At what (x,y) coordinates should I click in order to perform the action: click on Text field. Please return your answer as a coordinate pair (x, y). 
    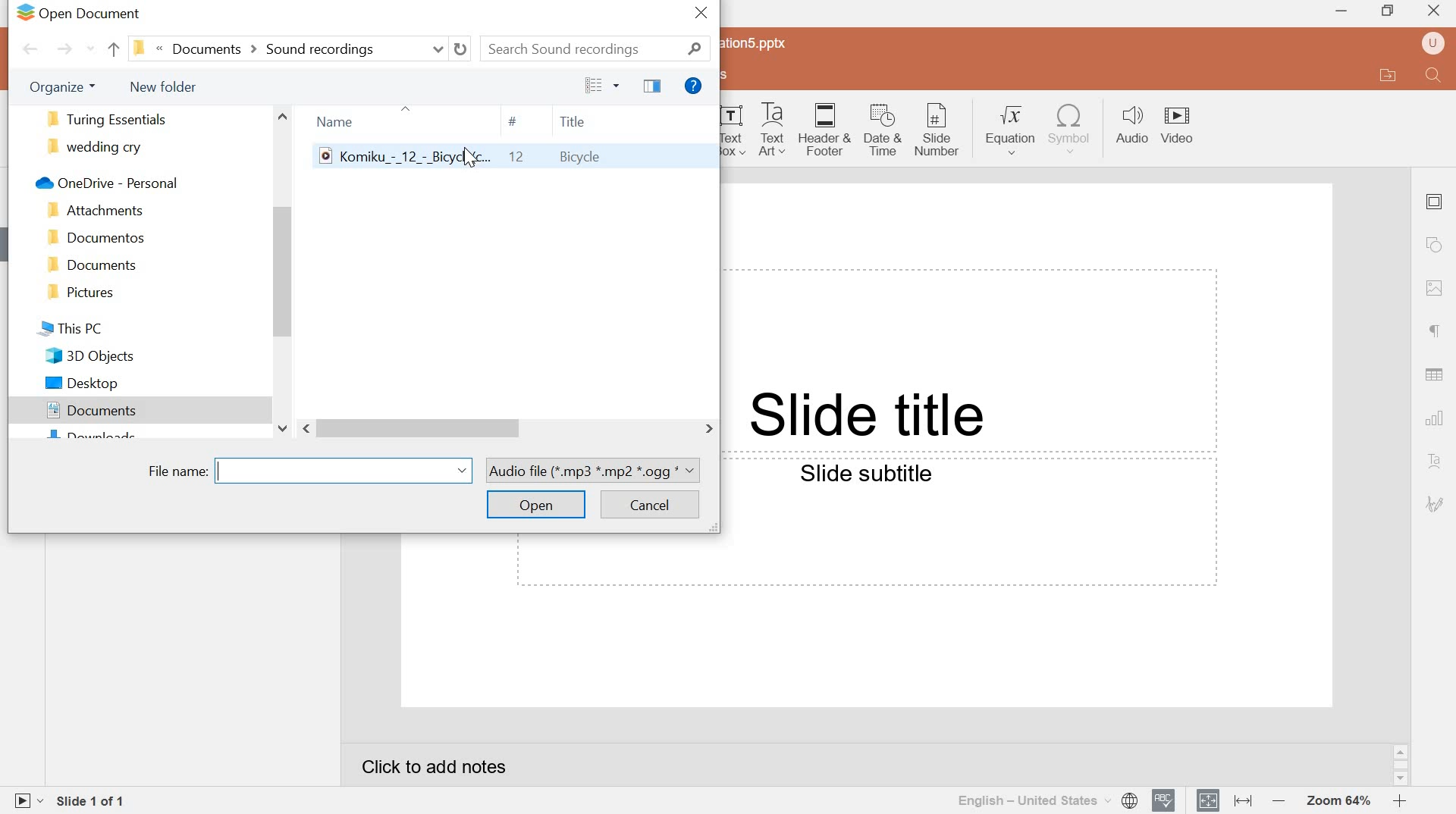
    Looking at the image, I should click on (972, 362).